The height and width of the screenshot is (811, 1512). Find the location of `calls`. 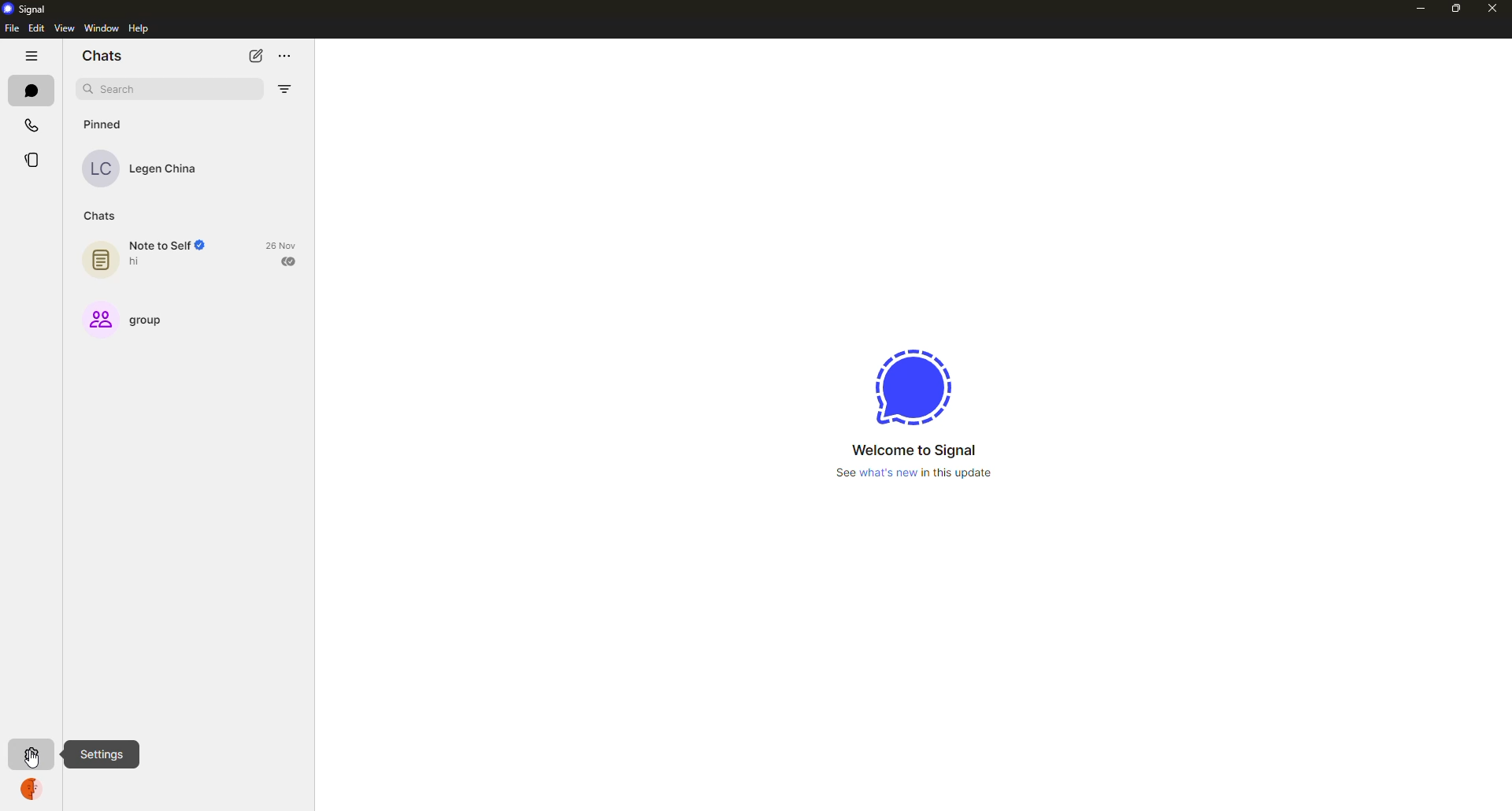

calls is located at coordinates (31, 121).